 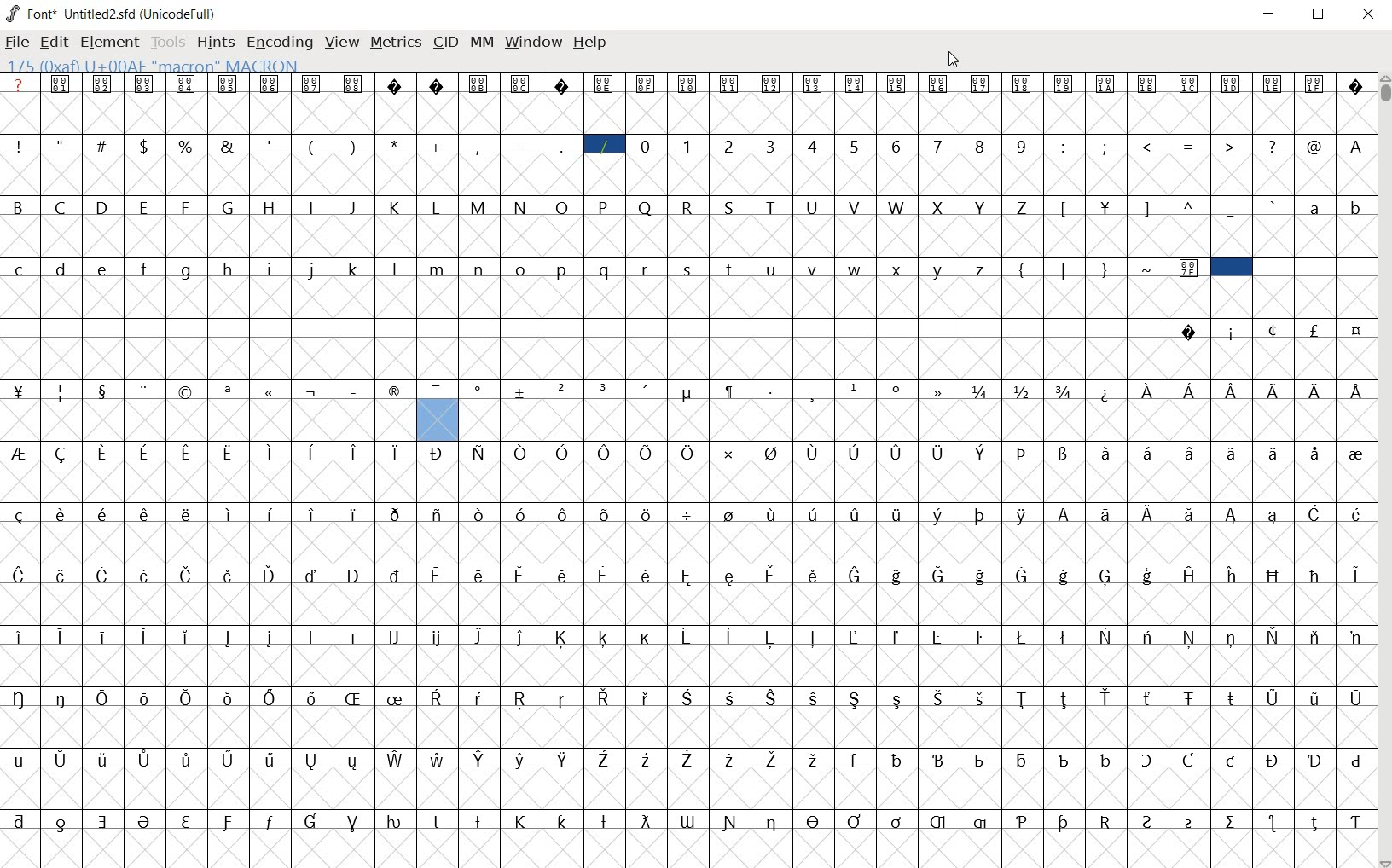 What do you see at coordinates (687, 638) in the screenshot?
I see `Symbol` at bounding box center [687, 638].